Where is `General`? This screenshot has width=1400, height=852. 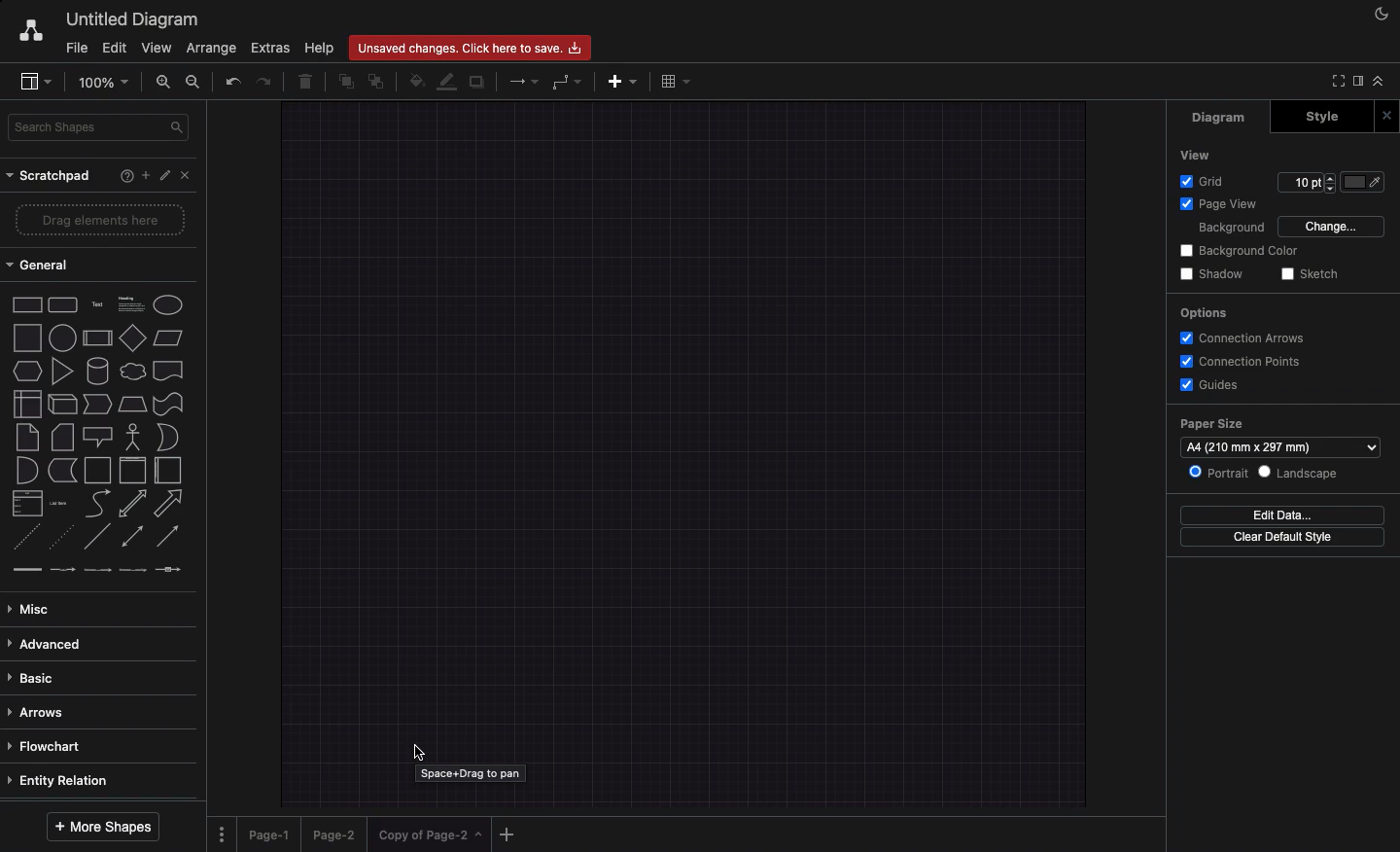
General is located at coordinates (41, 266).